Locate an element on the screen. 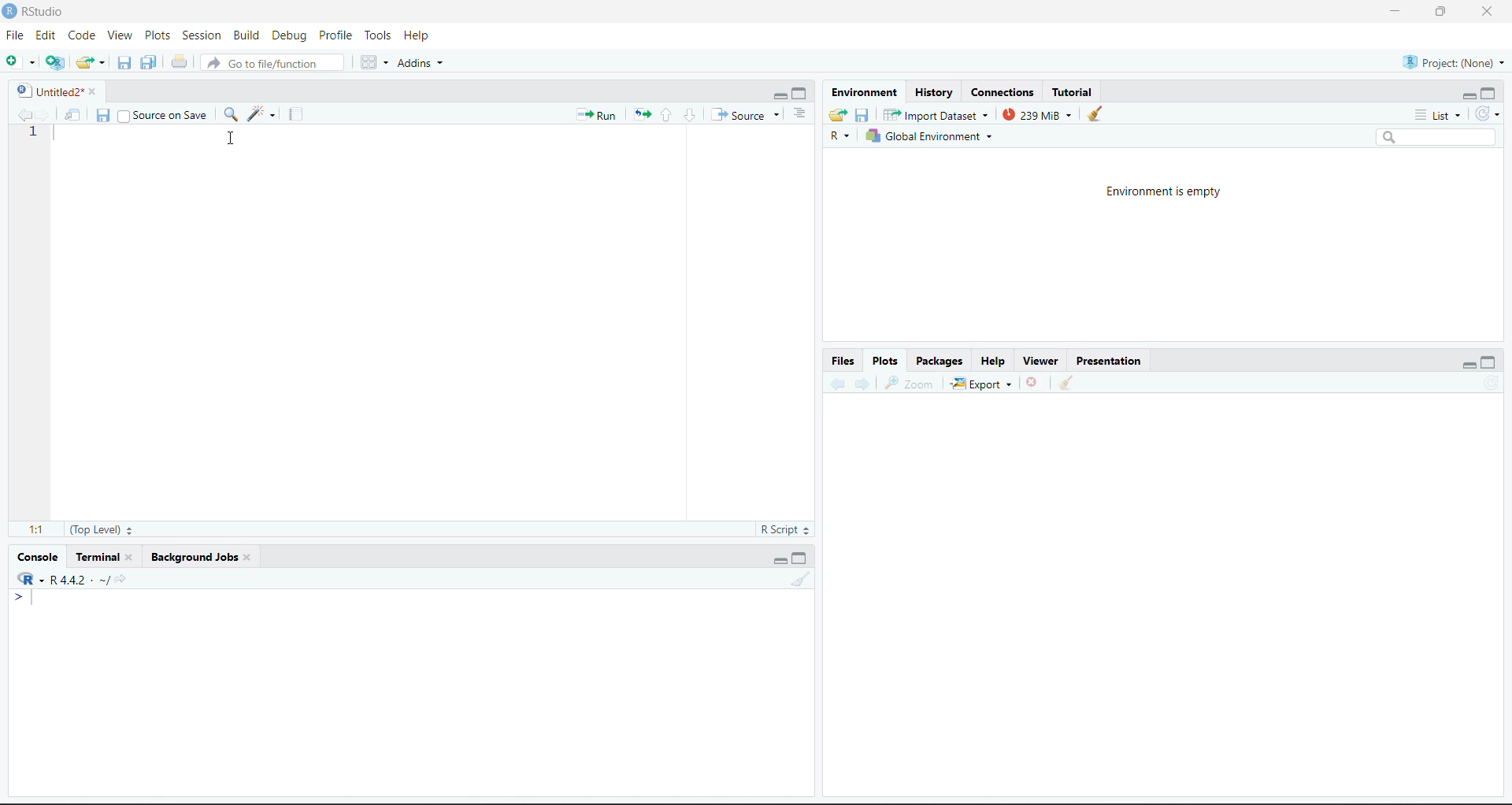 The height and width of the screenshot is (805, 1512). Source the contents of the active document is located at coordinates (747, 115).